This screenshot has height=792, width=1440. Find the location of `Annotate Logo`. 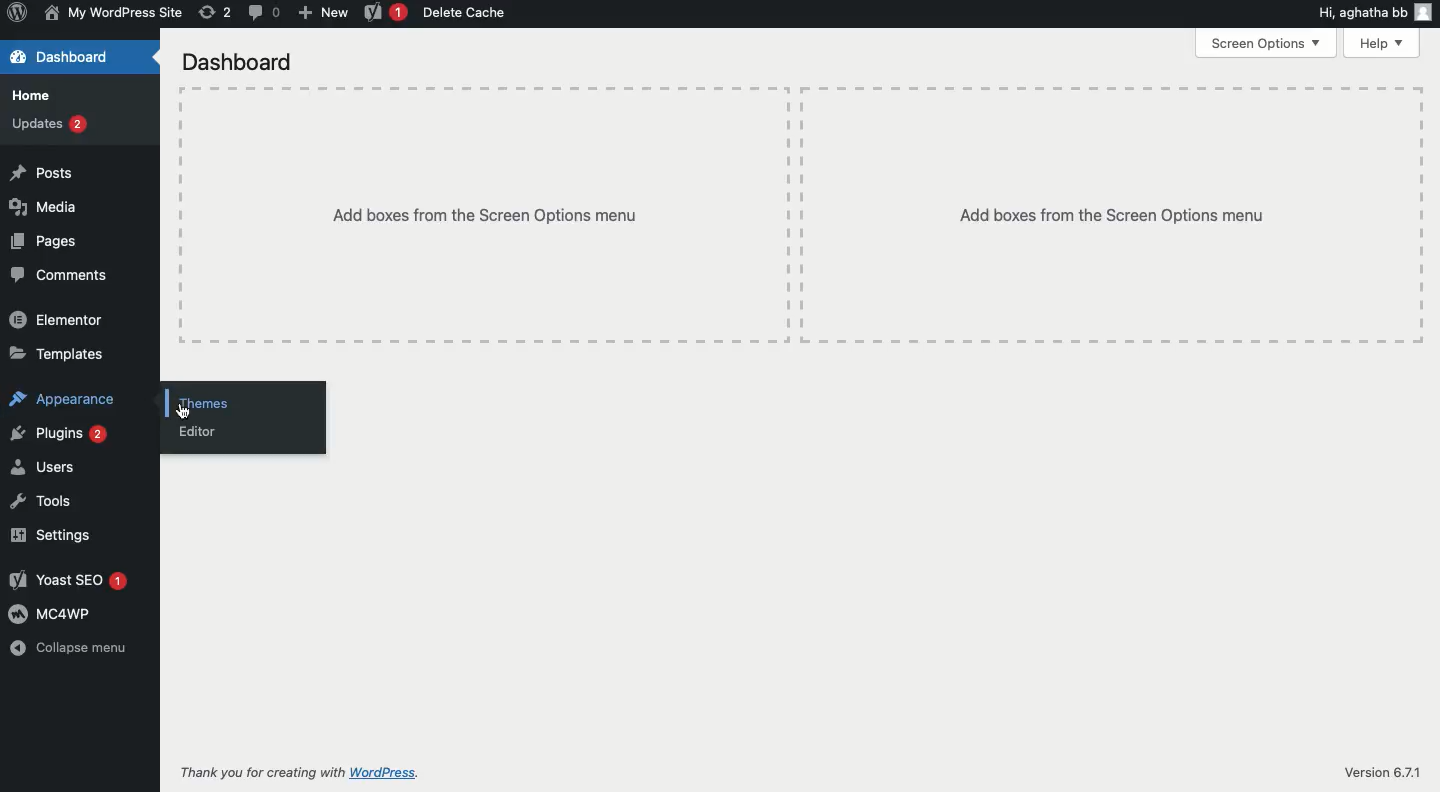

Annotate Logo is located at coordinates (17, 14).